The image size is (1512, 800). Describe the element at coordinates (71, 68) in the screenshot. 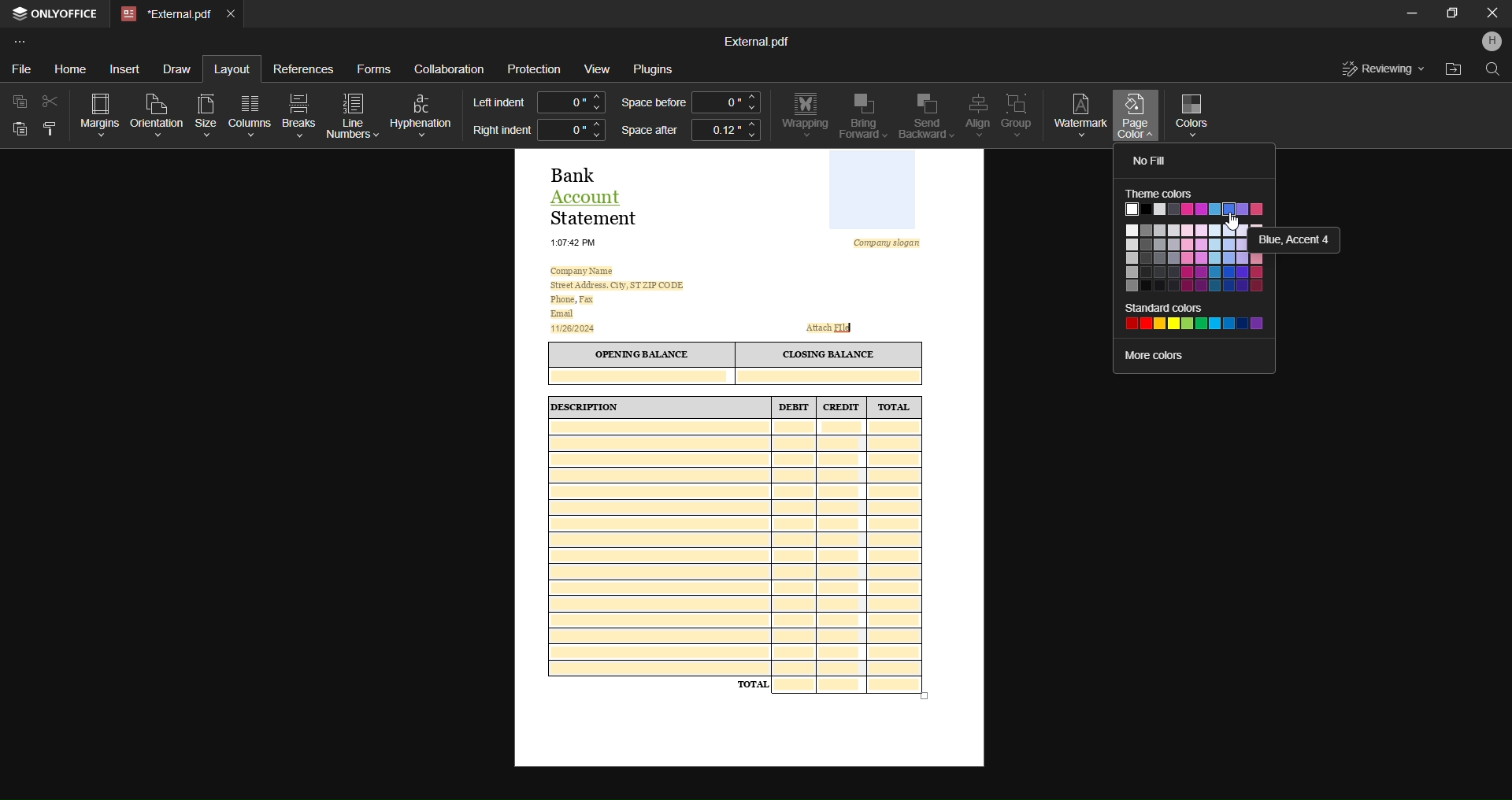

I see `Home` at that location.